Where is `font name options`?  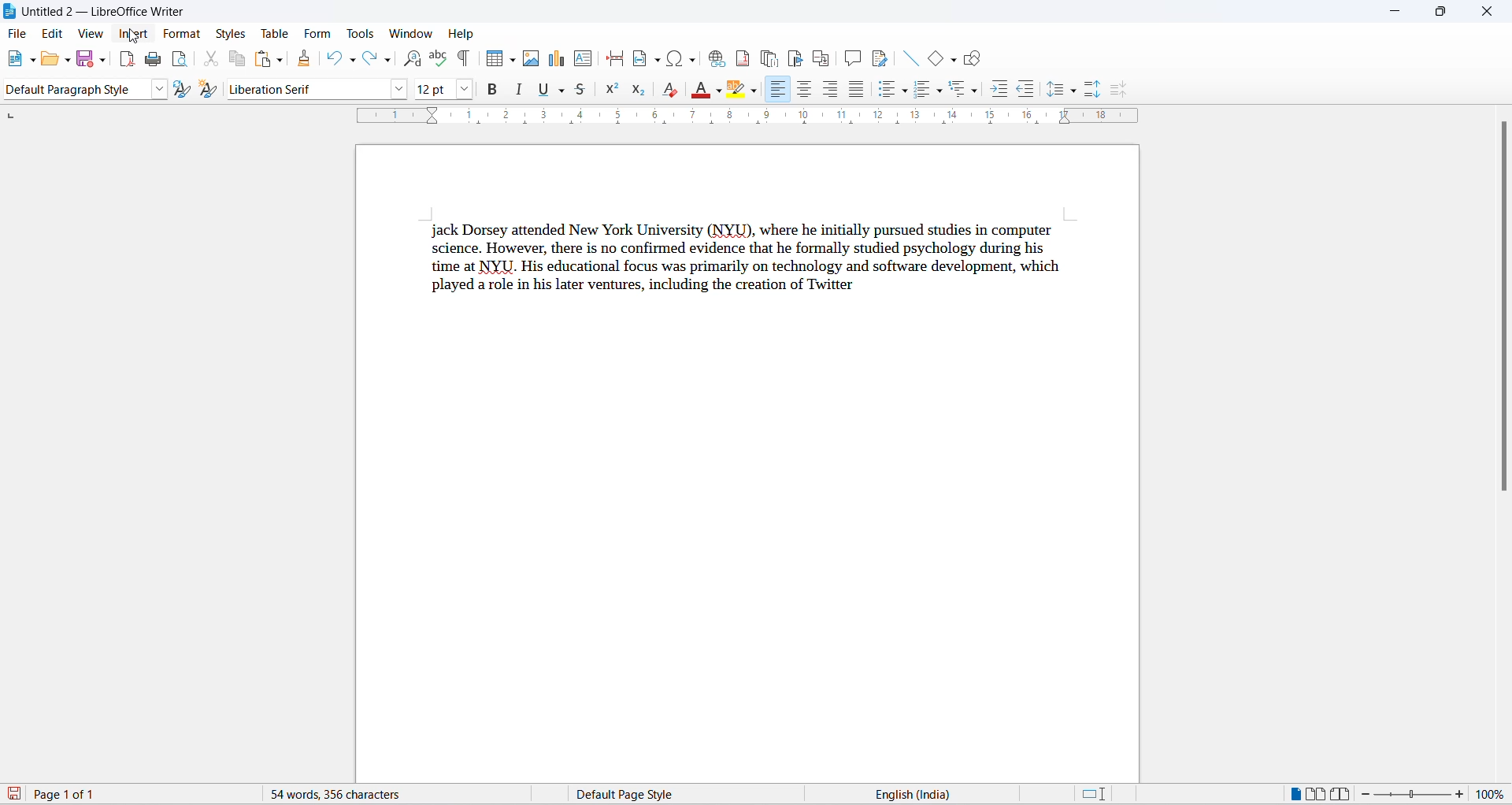
font name options is located at coordinates (399, 90).